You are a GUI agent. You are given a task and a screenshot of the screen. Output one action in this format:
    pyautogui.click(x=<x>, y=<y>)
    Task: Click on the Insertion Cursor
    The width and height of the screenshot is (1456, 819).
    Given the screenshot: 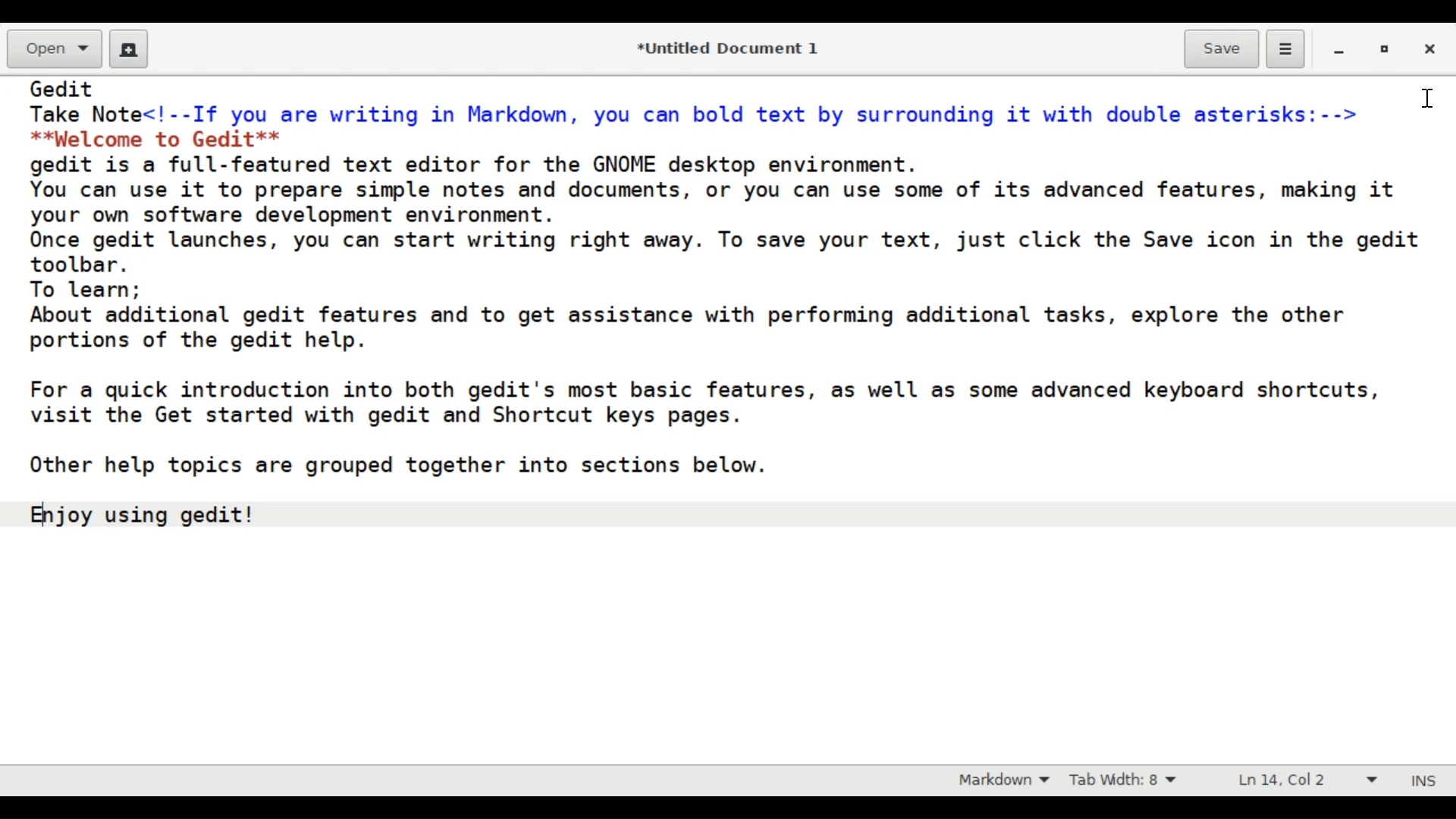 What is the action you would take?
    pyautogui.click(x=1427, y=101)
    